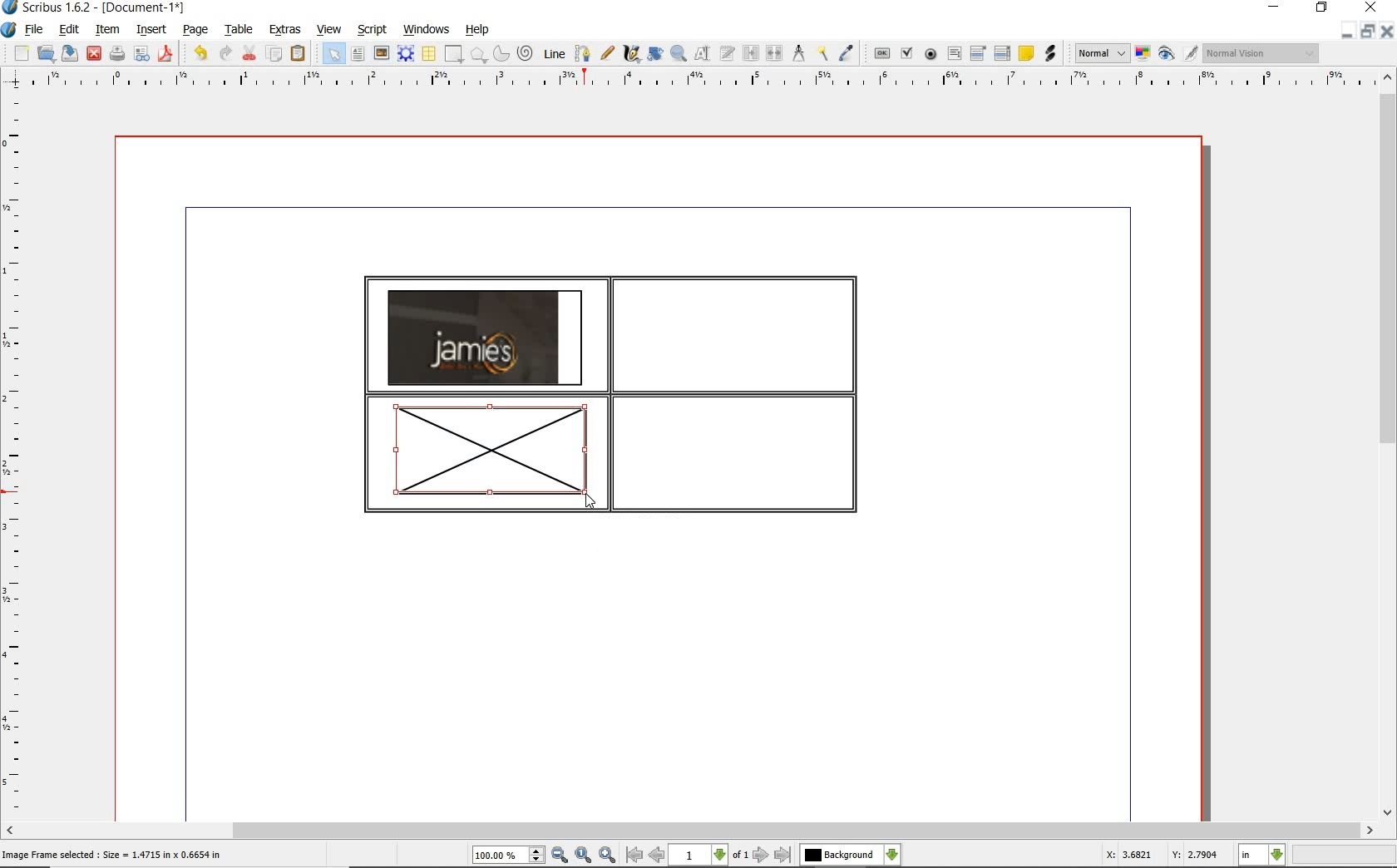 This screenshot has width=1397, height=868. I want to click on save, so click(71, 52).